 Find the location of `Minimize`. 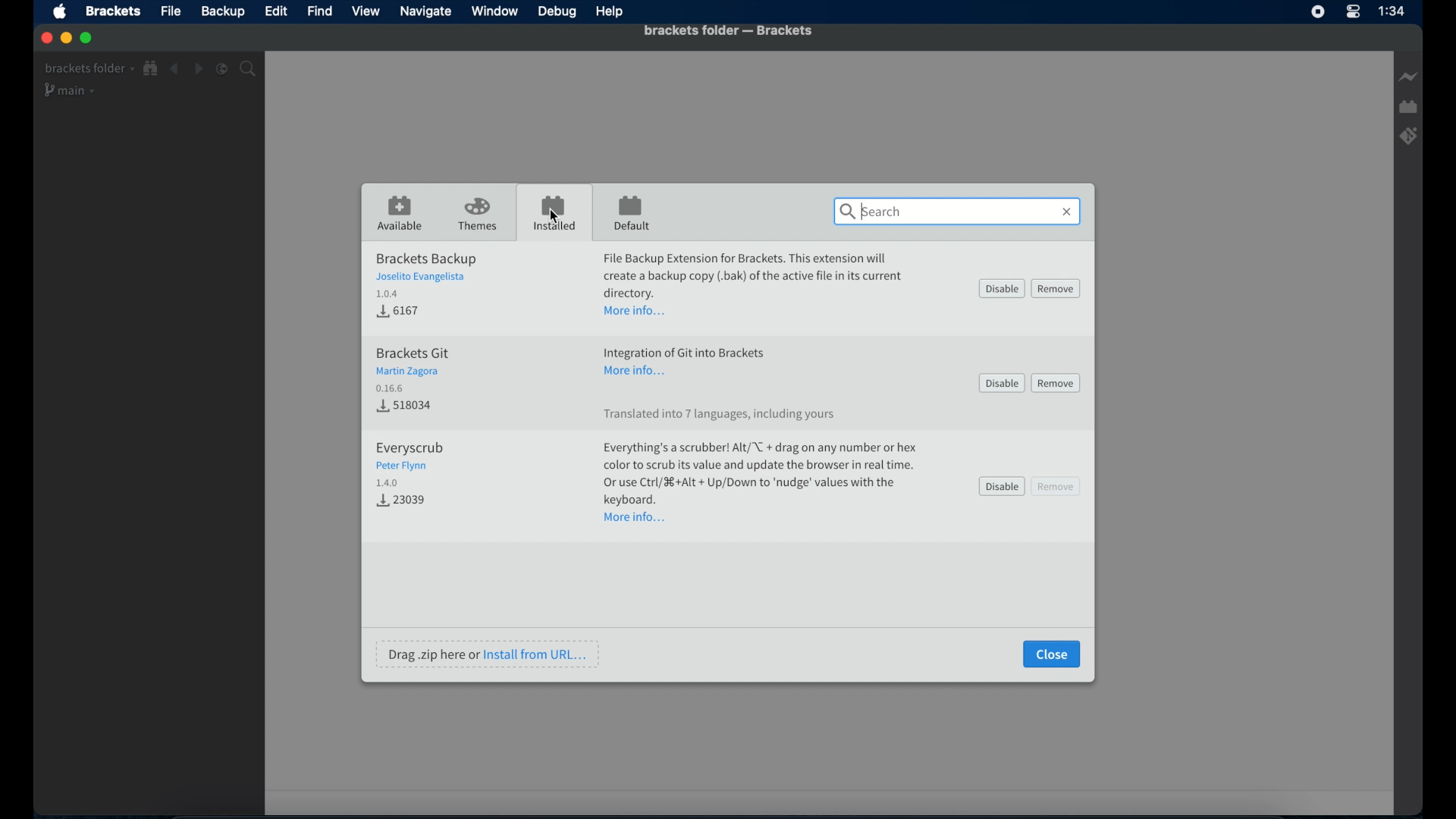

Minimize is located at coordinates (65, 38).